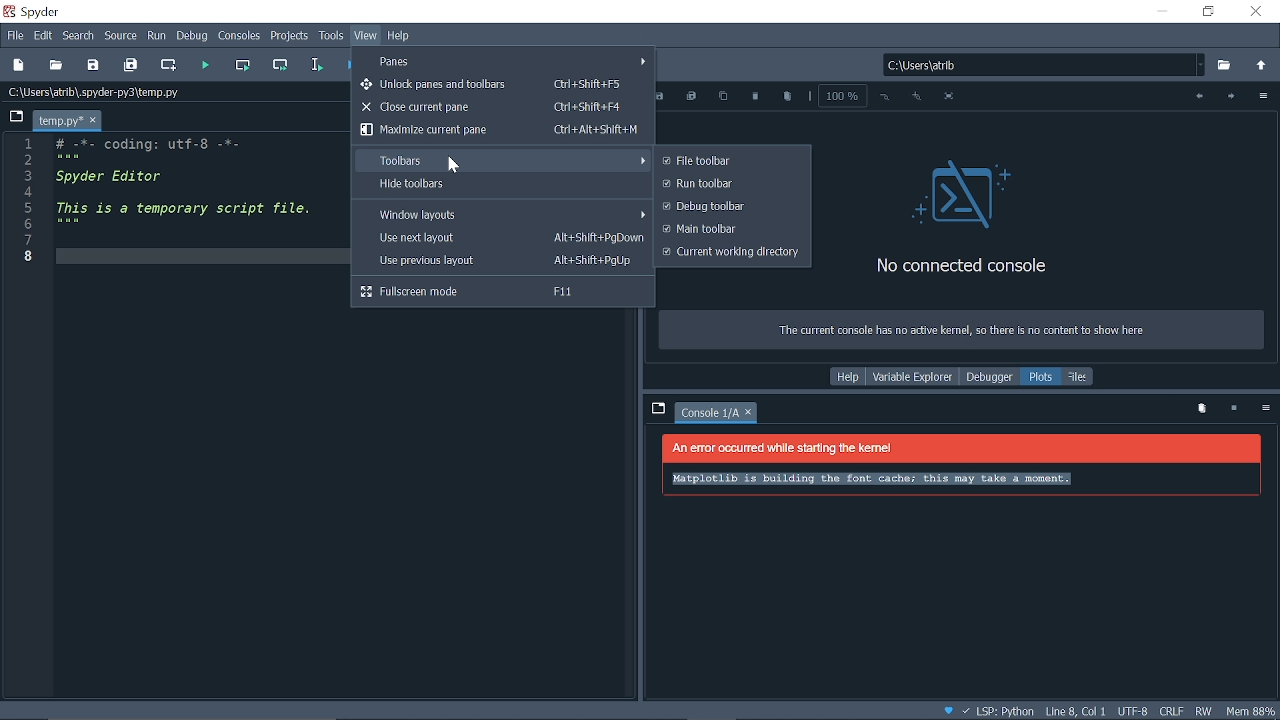 This screenshot has height=720, width=1280. Describe the element at coordinates (1252, 710) in the screenshot. I see `Memory usgae` at that location.